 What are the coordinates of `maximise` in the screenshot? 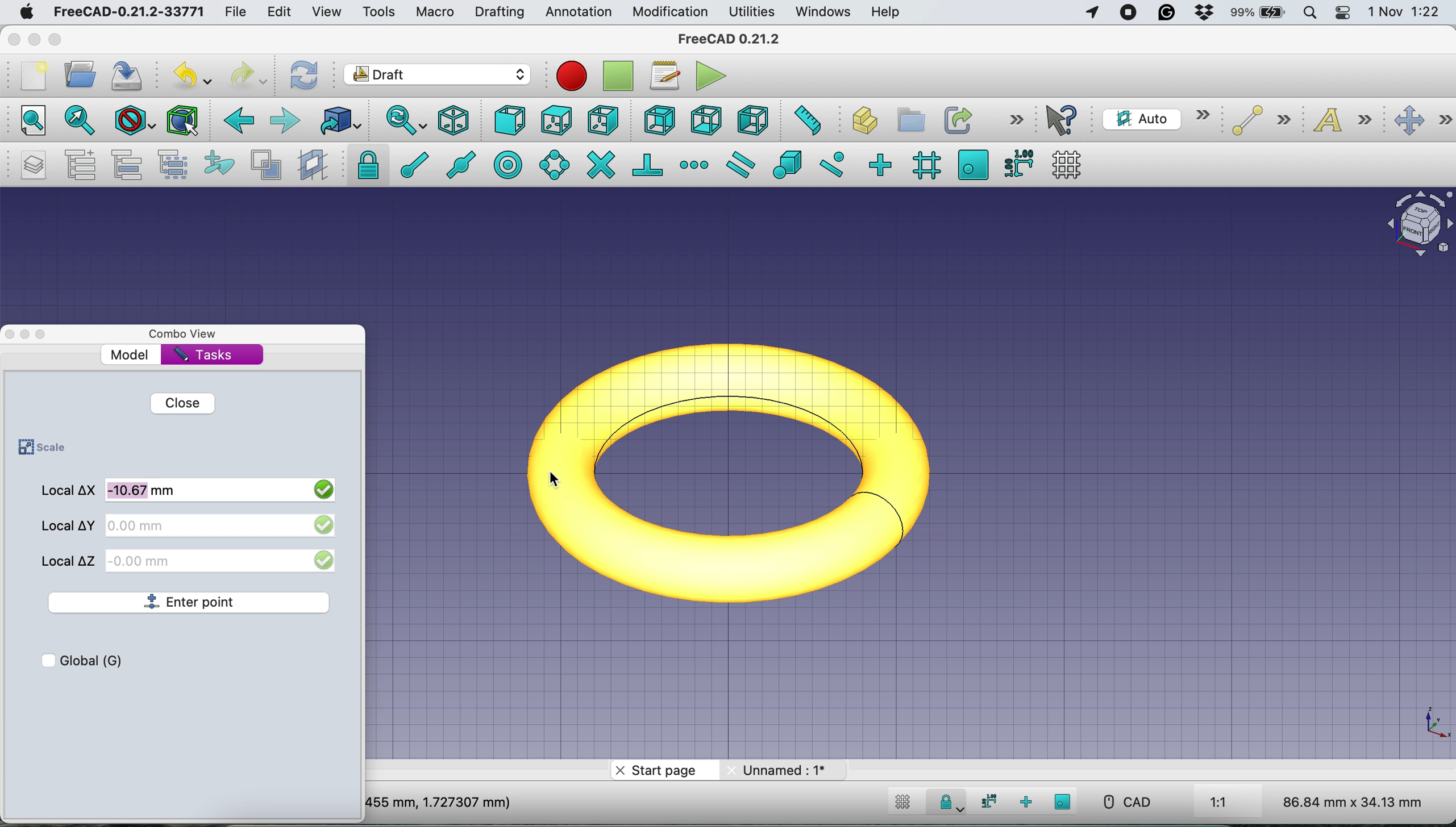 It's located at (57, 40).